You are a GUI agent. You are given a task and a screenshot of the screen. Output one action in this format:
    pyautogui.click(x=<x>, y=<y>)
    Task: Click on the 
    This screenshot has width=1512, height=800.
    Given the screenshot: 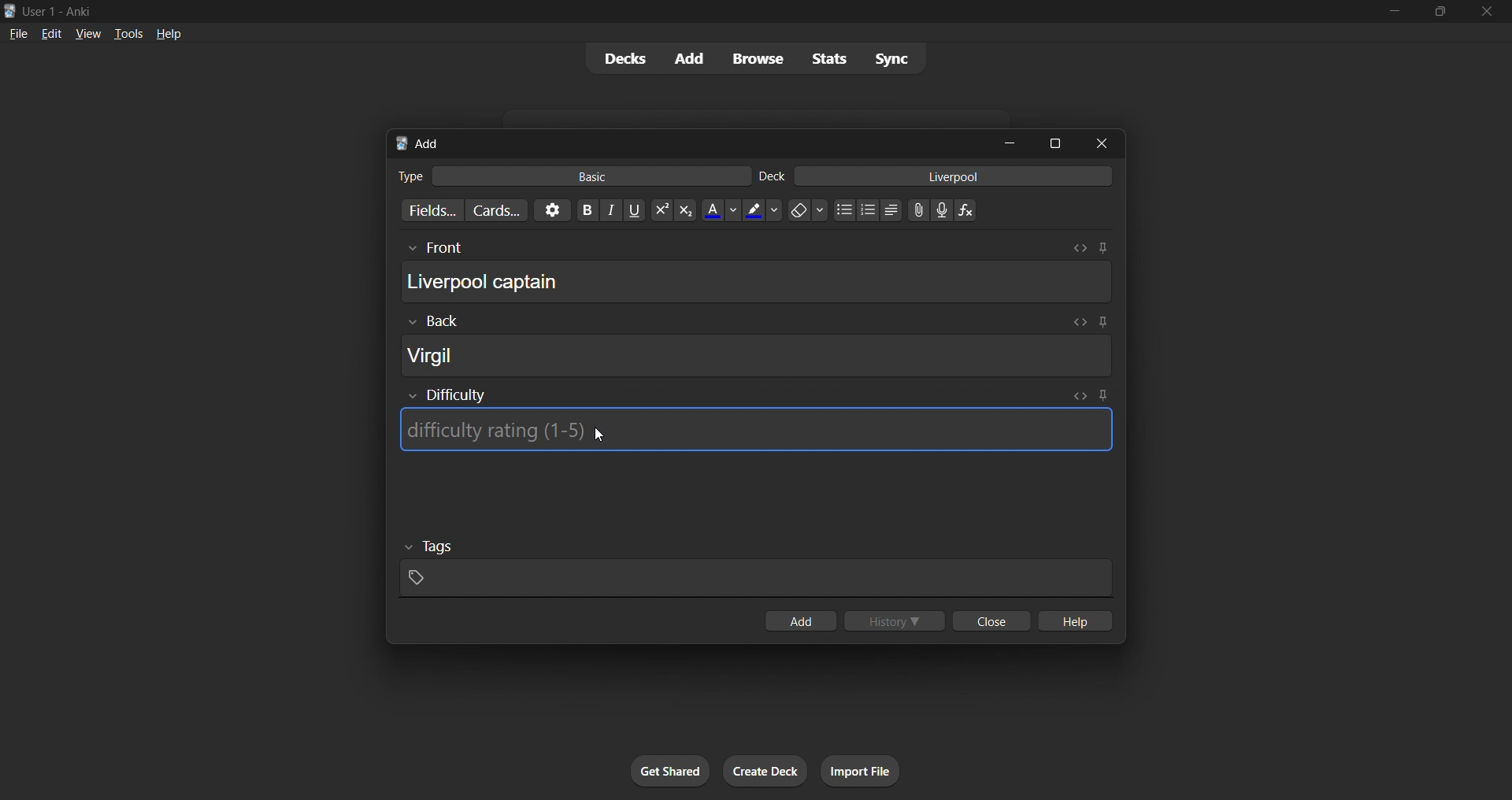 What is the action you would take?
    pyautogui.click(x=433, y=321)
    